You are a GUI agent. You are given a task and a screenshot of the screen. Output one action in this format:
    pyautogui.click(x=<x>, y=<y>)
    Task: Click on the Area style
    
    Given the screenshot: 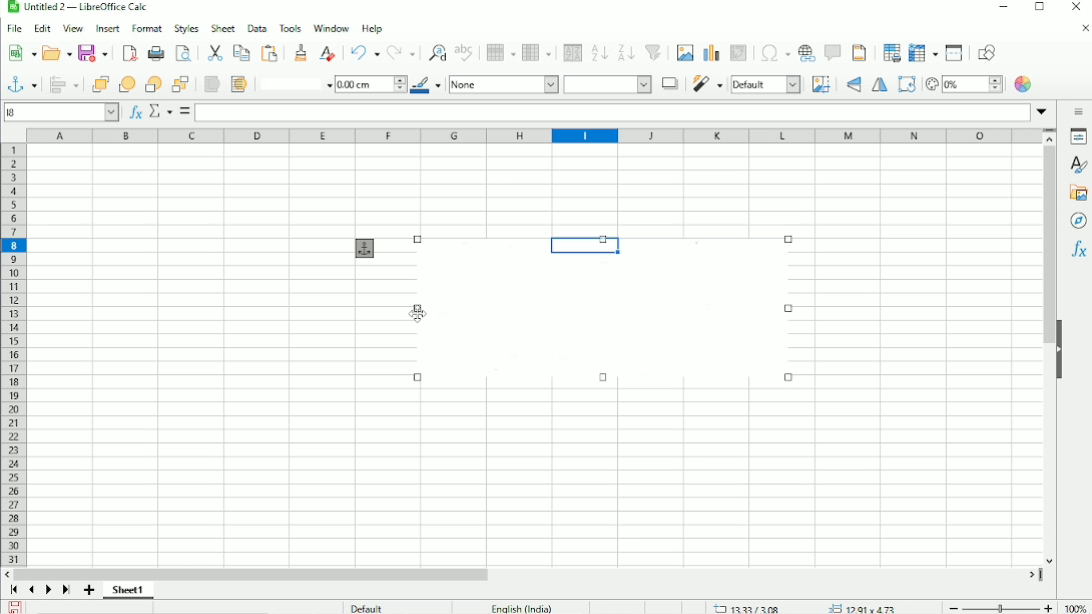 What is the action you would take?
    pyautogui.click(x=550, y=85)
    